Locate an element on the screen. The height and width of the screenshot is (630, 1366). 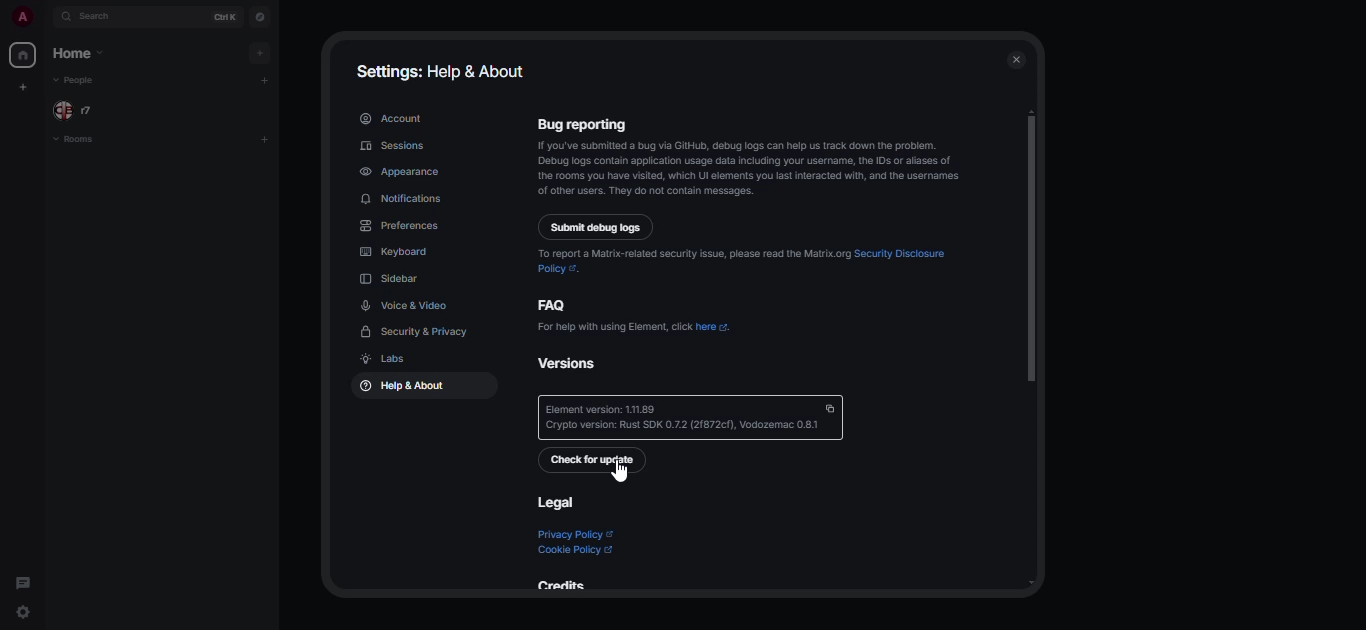
preferences is located at coordinates (398, 226).